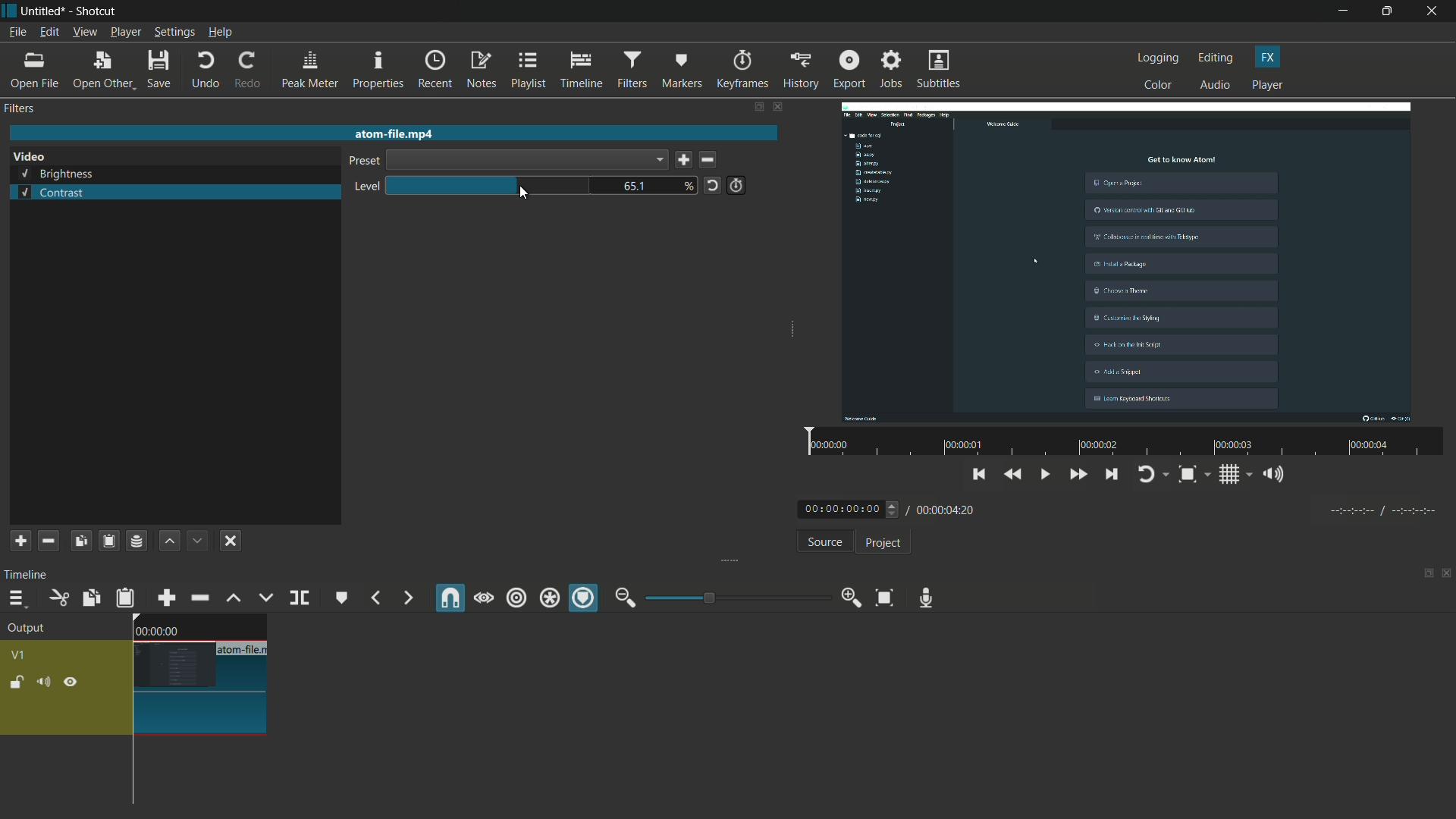  Describe the element at coordinates (58, 598) in the screenshot. I see `cut` at that location.